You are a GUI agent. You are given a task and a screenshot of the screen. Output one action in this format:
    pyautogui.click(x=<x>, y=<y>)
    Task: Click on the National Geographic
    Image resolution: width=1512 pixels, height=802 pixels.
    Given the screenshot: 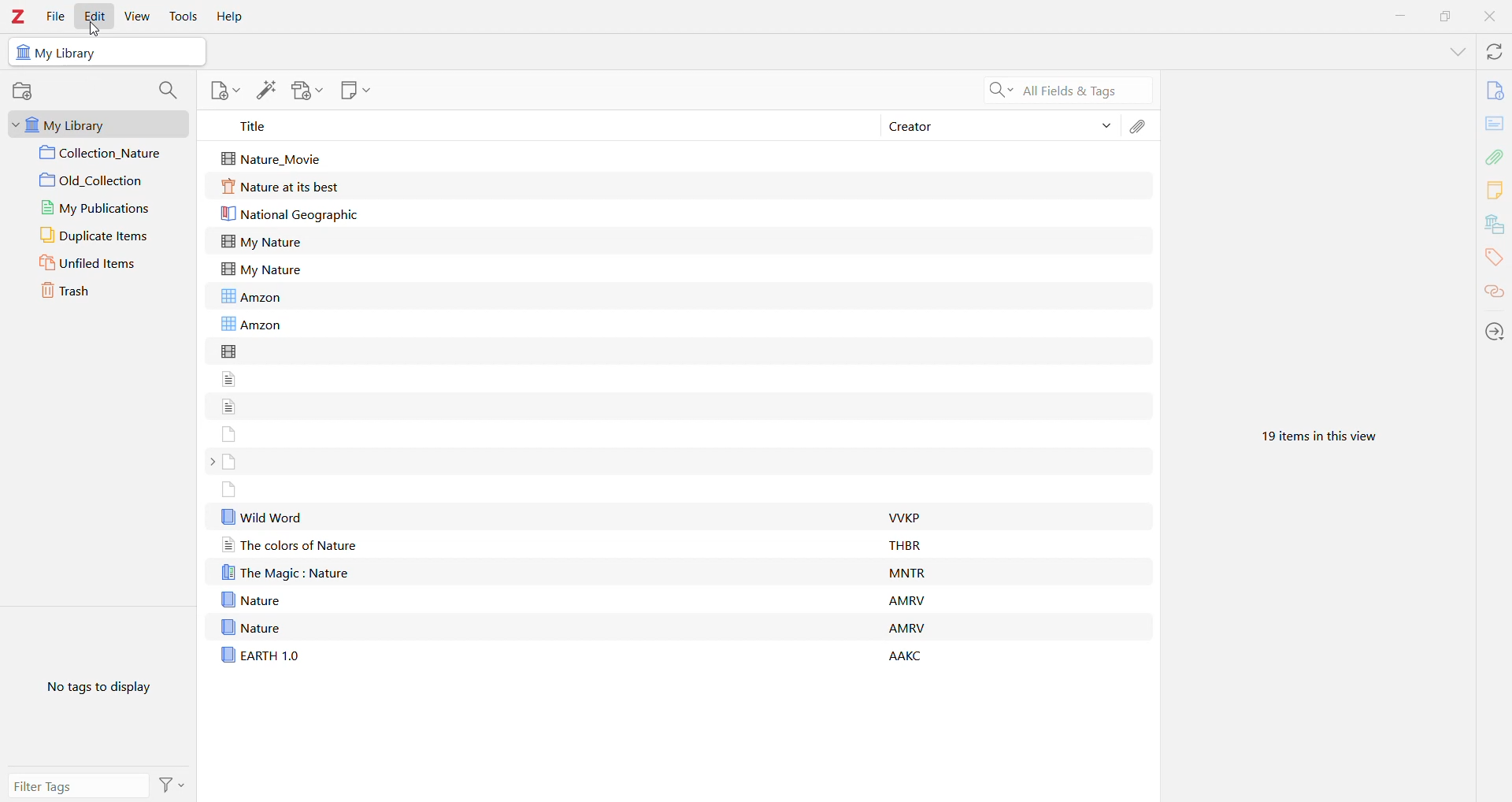 What is the action you would take?
    pyautogui.click(x=296, y=215)
    